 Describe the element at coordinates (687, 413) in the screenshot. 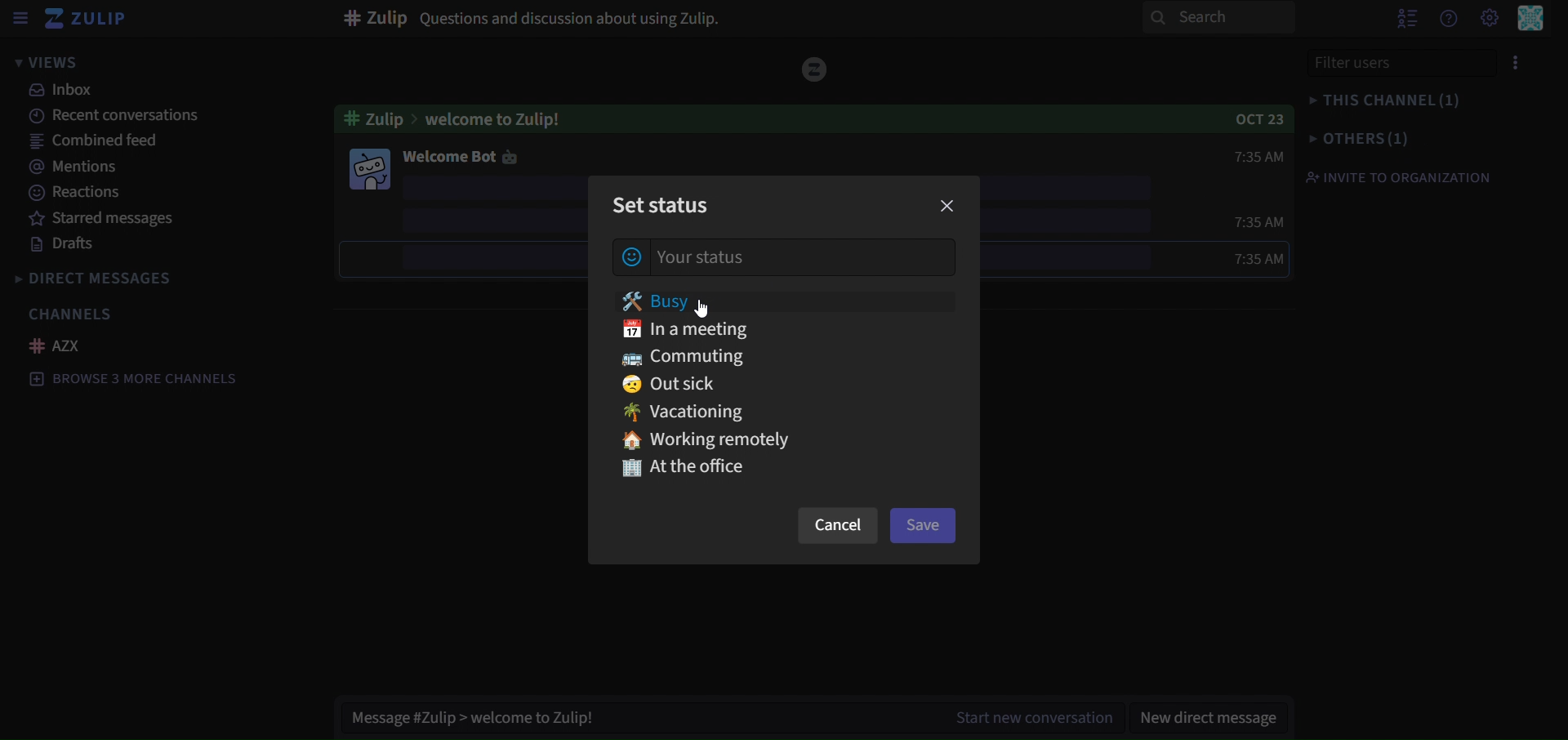

I see `vacationing` at that location.